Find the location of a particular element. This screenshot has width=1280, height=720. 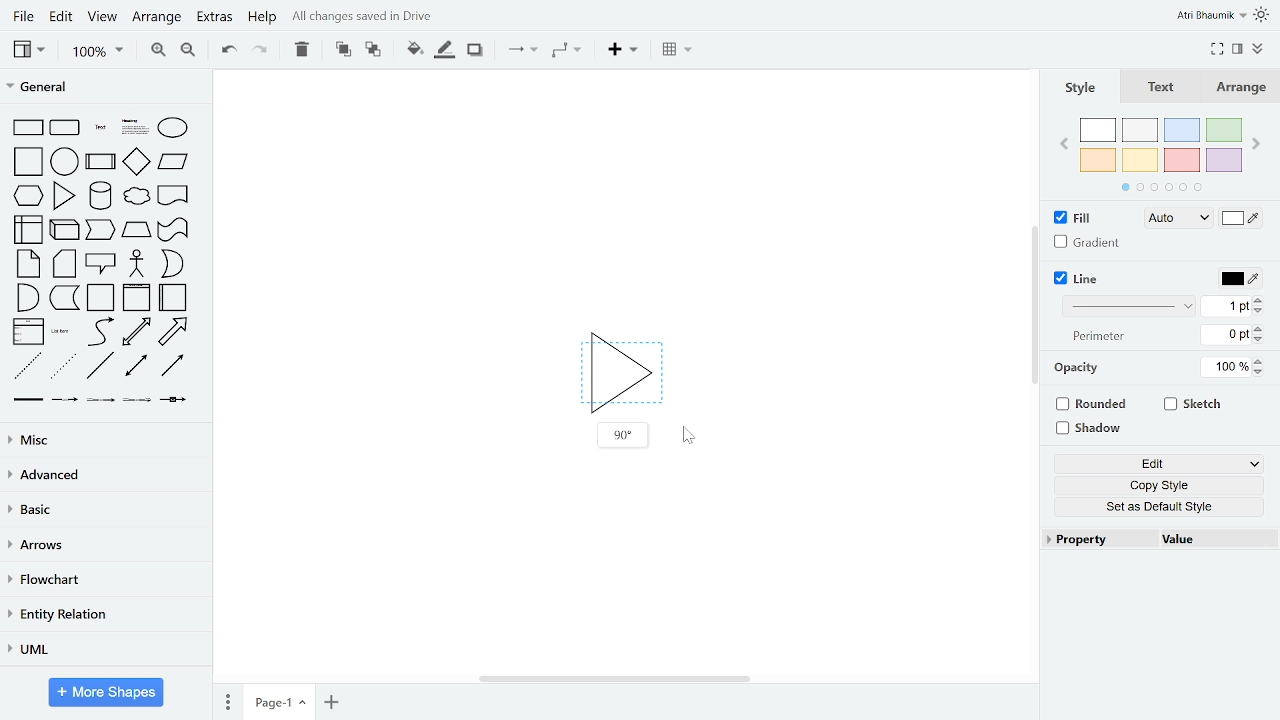

connector is located at coordinates (522, 50).